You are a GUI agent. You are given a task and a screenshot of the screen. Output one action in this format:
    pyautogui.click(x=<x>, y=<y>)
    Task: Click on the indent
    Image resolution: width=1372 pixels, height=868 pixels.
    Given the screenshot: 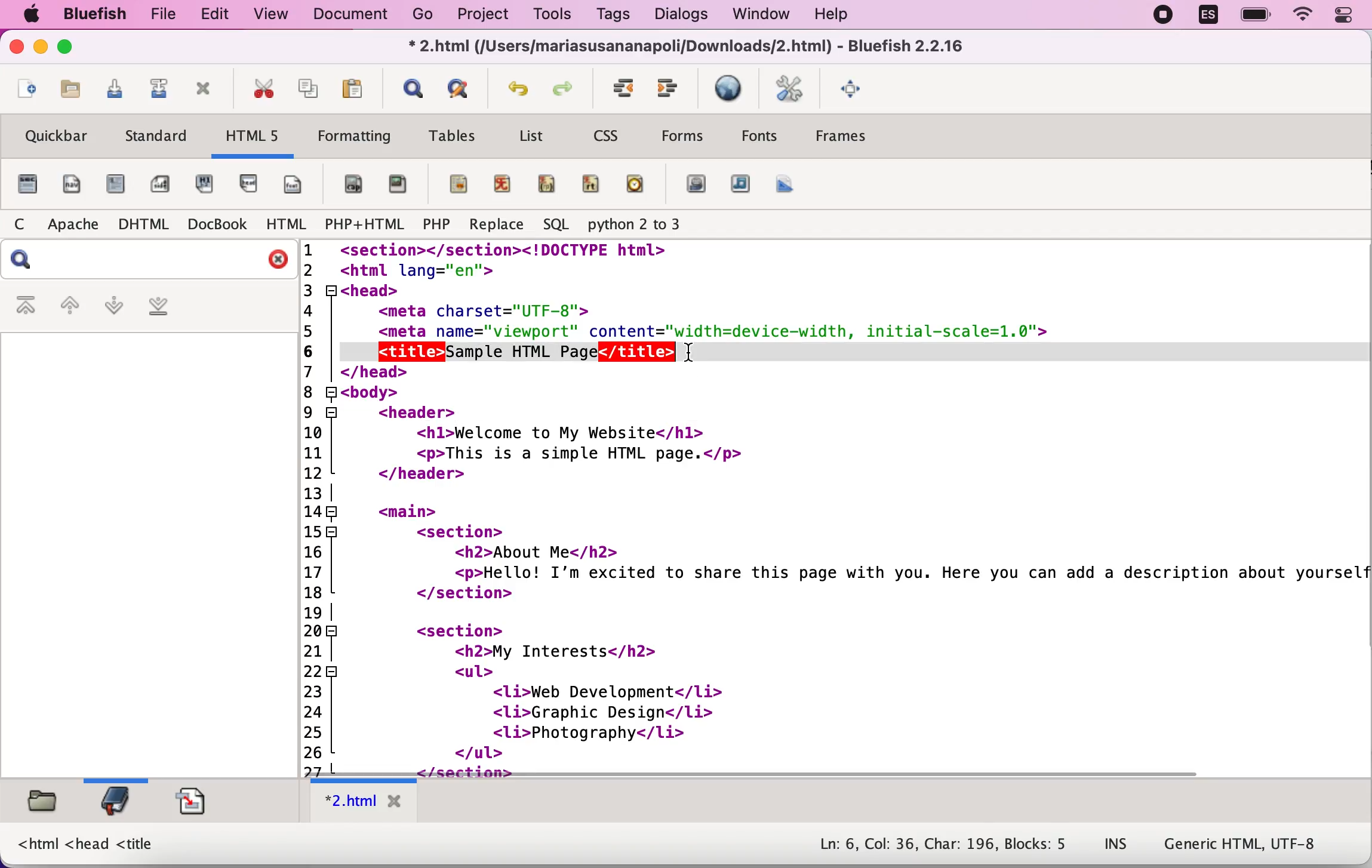 What is the action you would take?
    pyautogui.click(x=670, y=90)
    